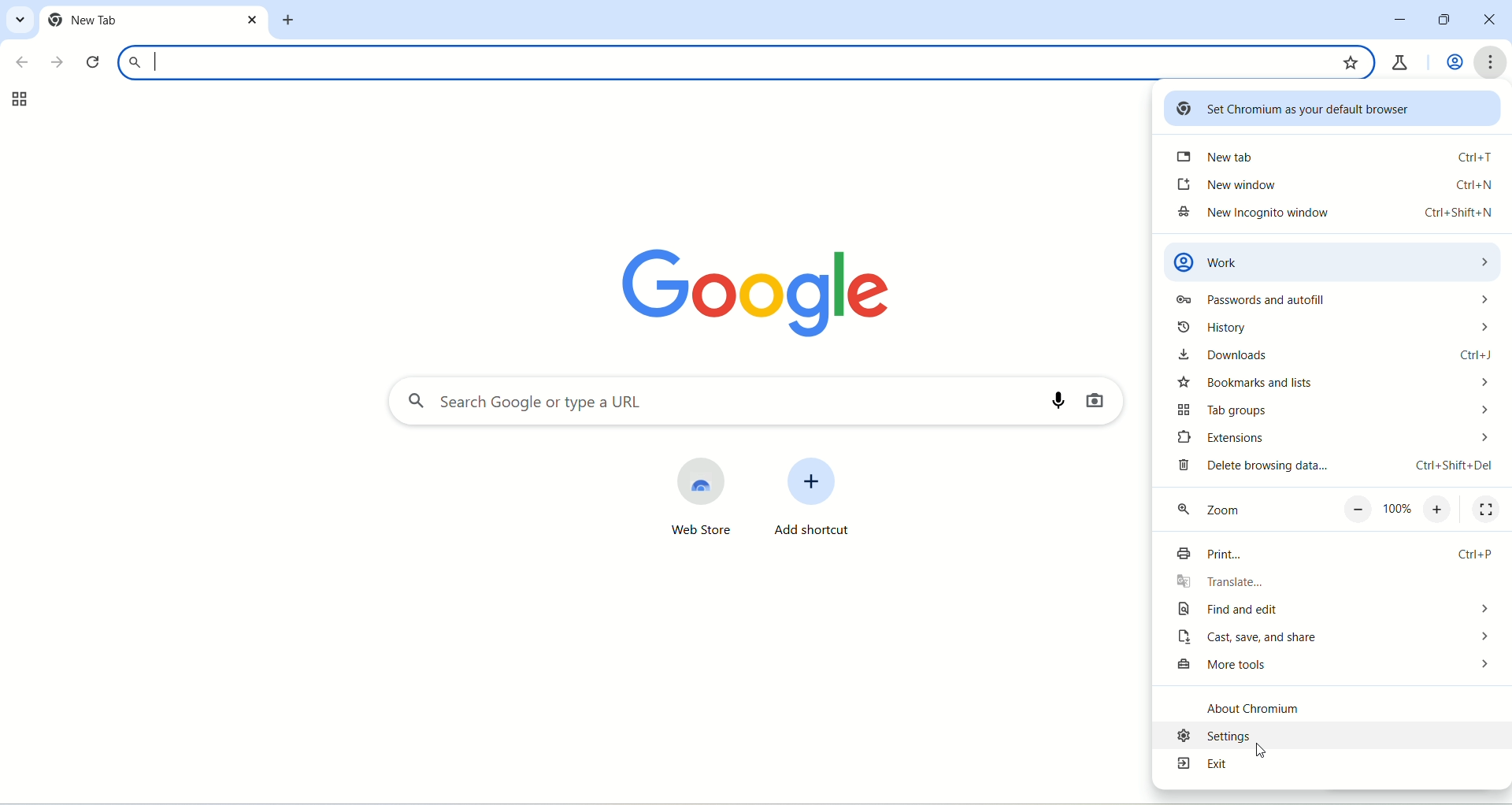 This screenshot has width=1512, height=805. What do you see at coordinates (139, 20) in the screenshot?
I see `new tab` at bounding box center [139, 20].